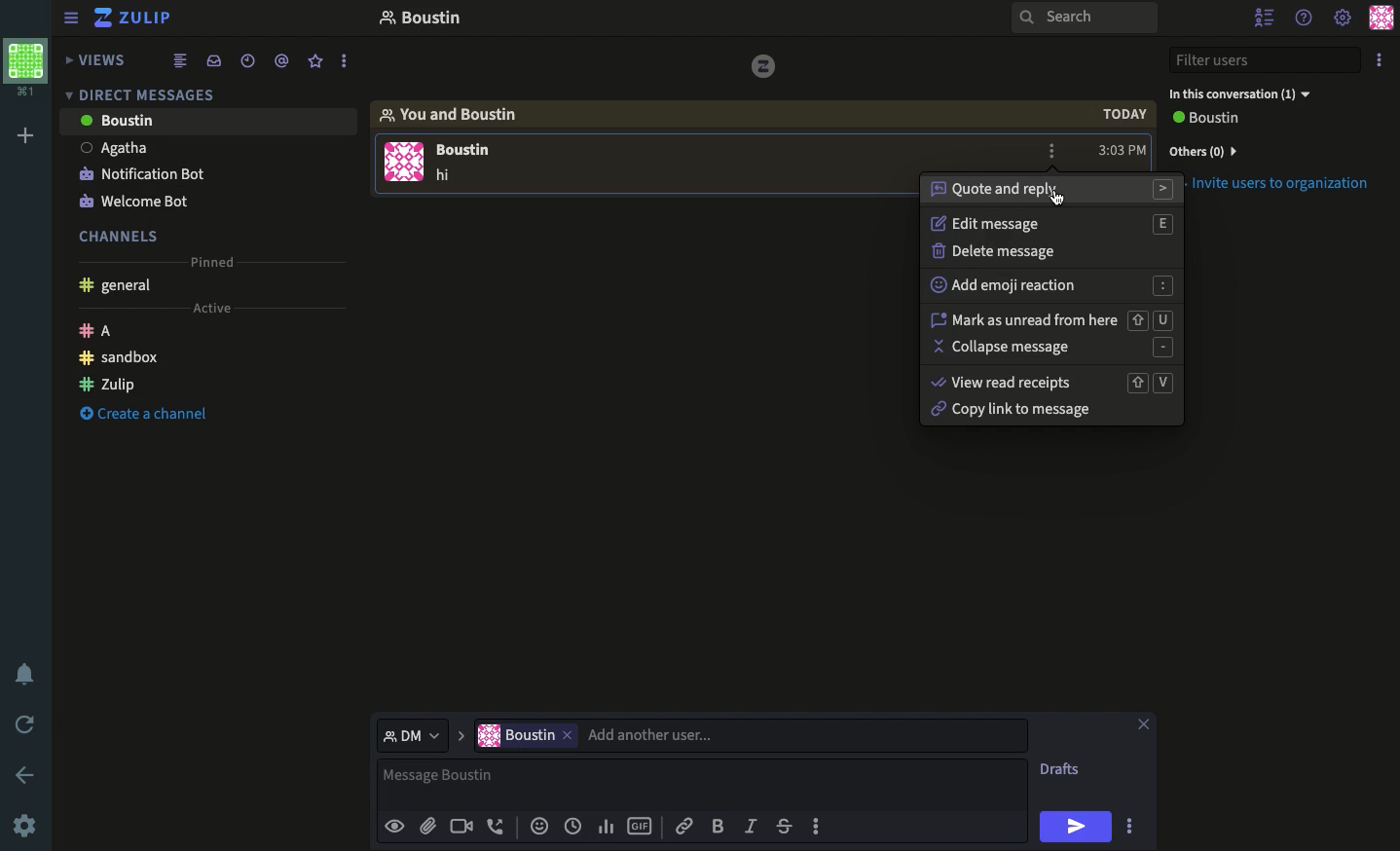 This screenshot has width=1400, height=851. What do you see at coordinates (1129, 825) in the screenshot?
I see `Options` at bounding box center [1129, 825].